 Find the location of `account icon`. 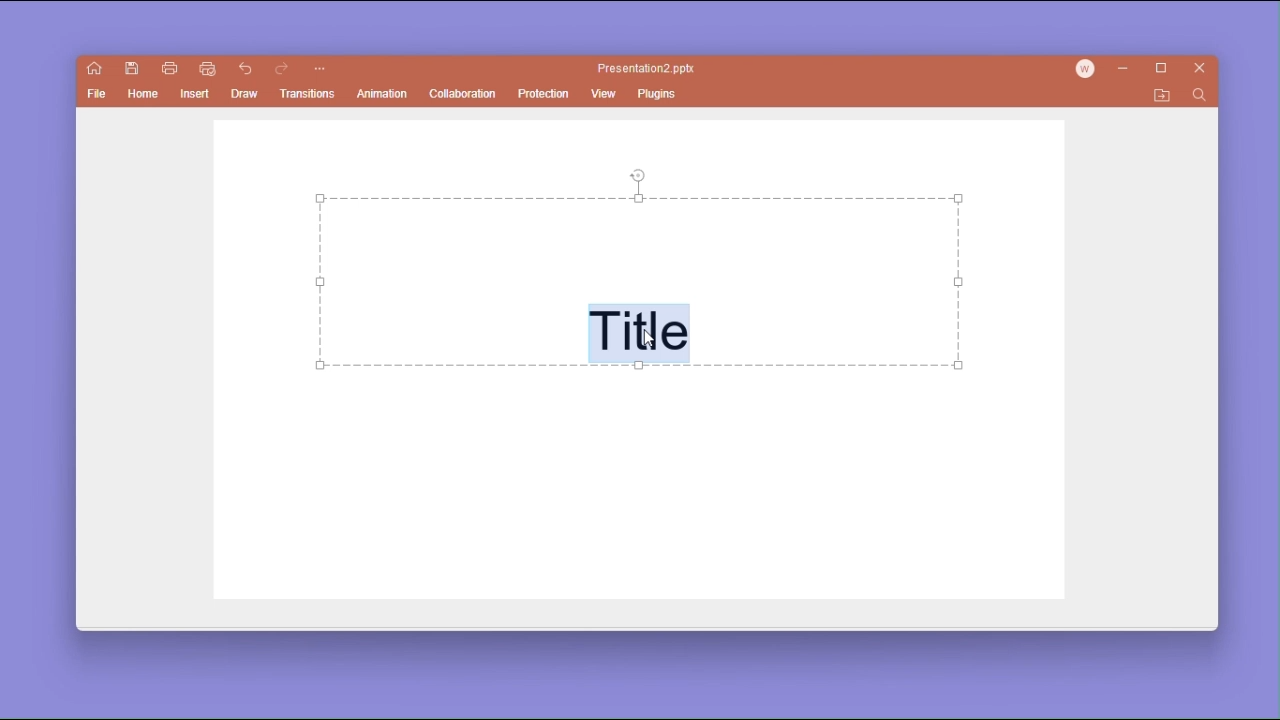

account icon is located at coordinates (1089, 69).